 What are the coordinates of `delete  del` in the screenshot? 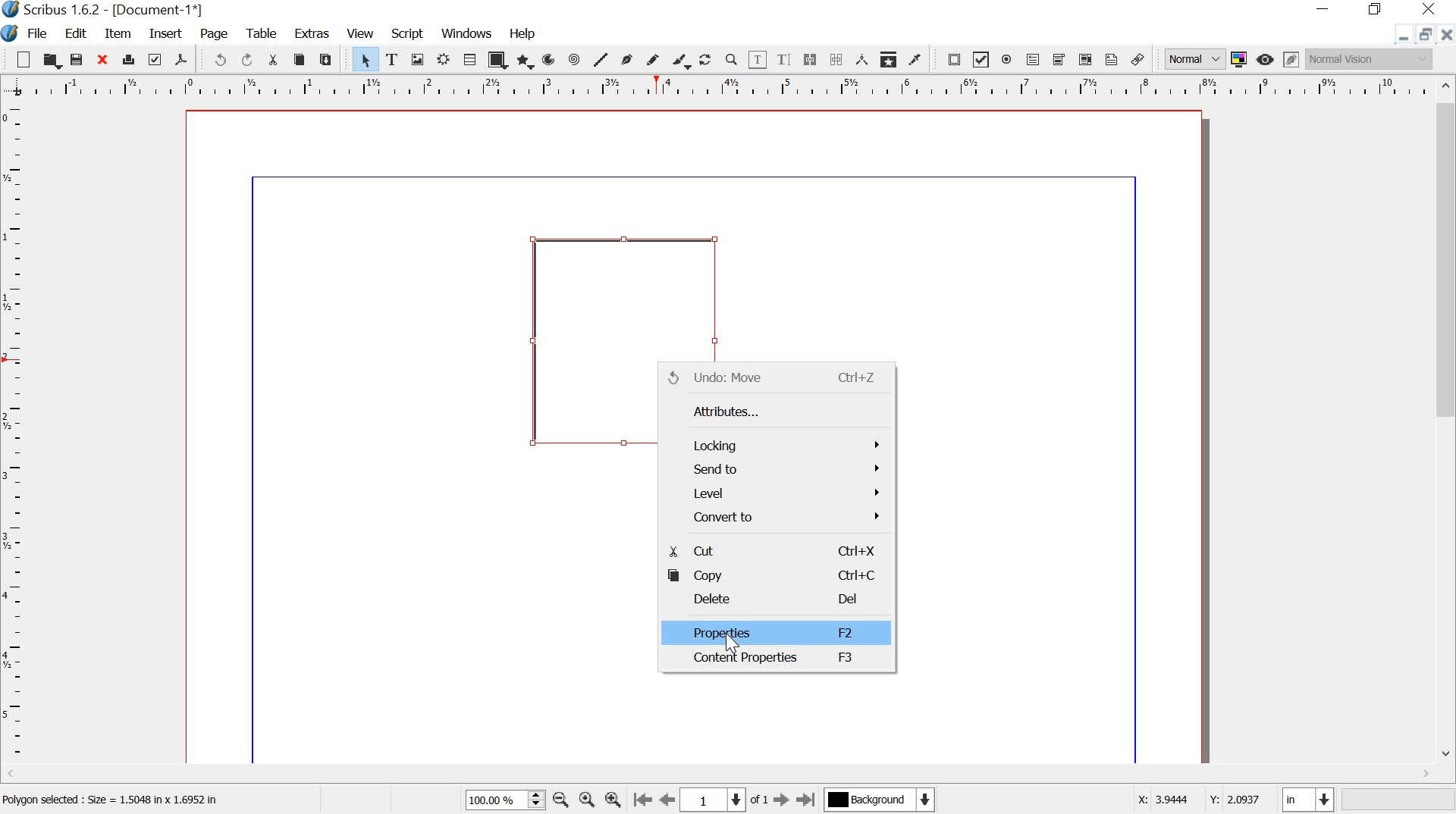 It's located at (774, 600).